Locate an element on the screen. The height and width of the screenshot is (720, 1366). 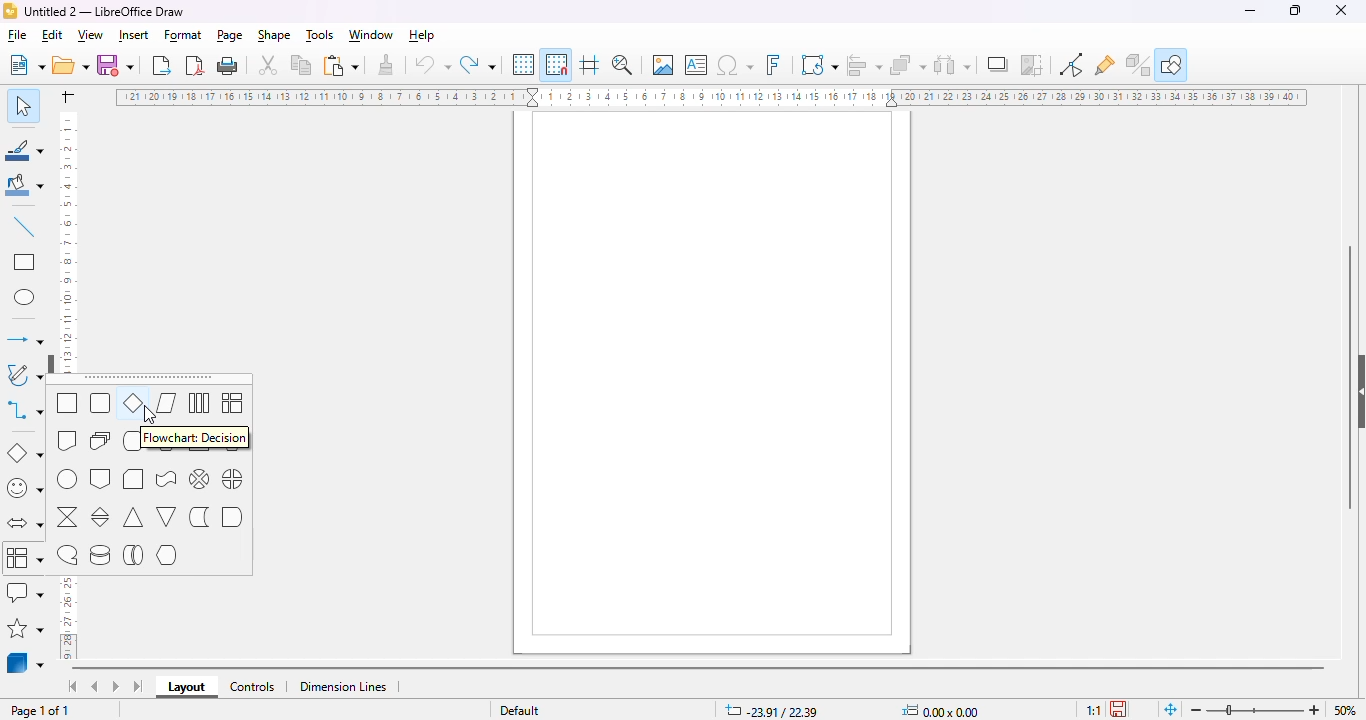
flowchart: predefined process is located at coordinates (199, 403).